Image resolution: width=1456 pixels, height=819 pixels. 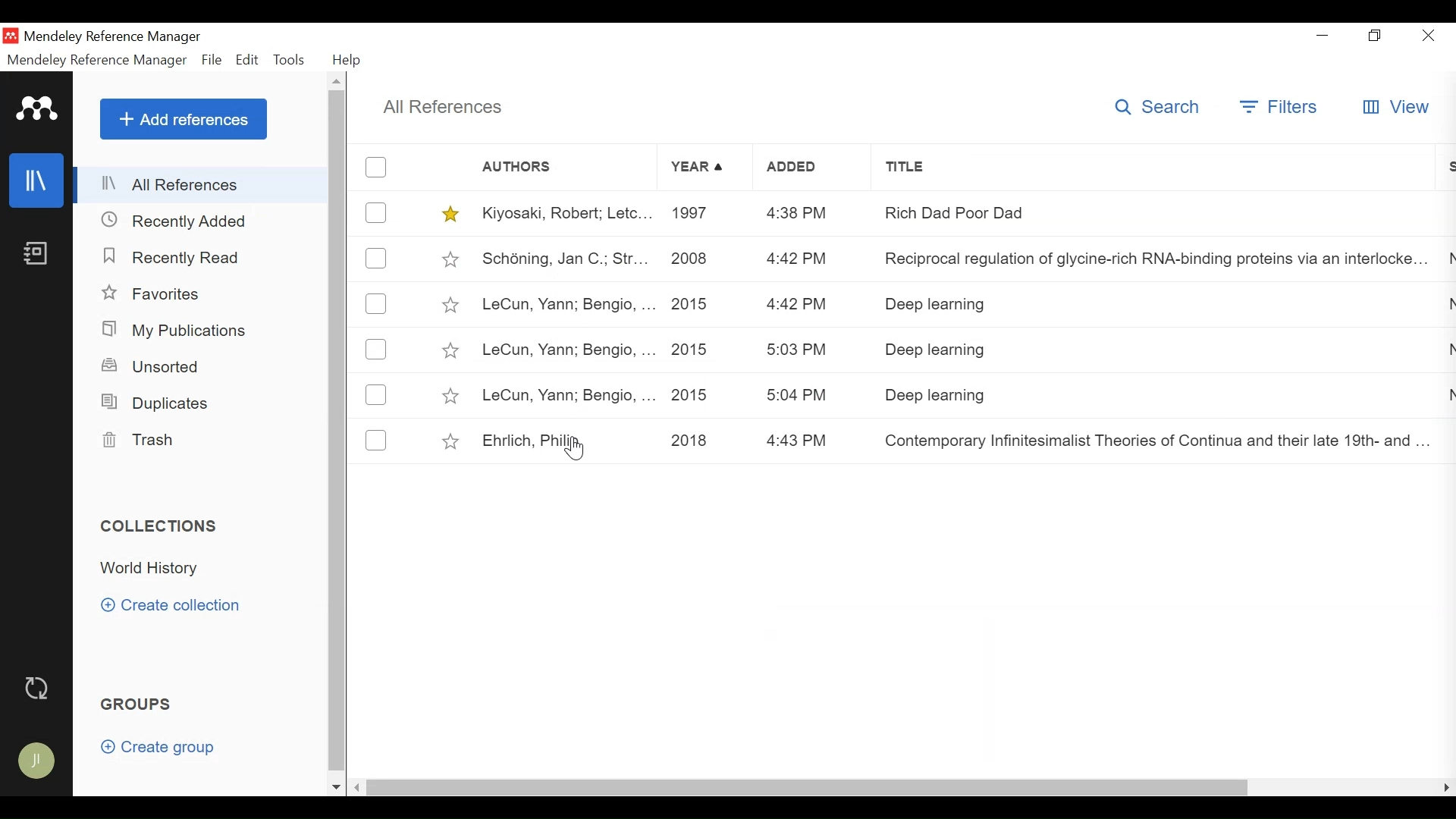 What do you see at coordinates (34, 180) in the screenshot?
I see `Library` at bounding box center [34, 180].